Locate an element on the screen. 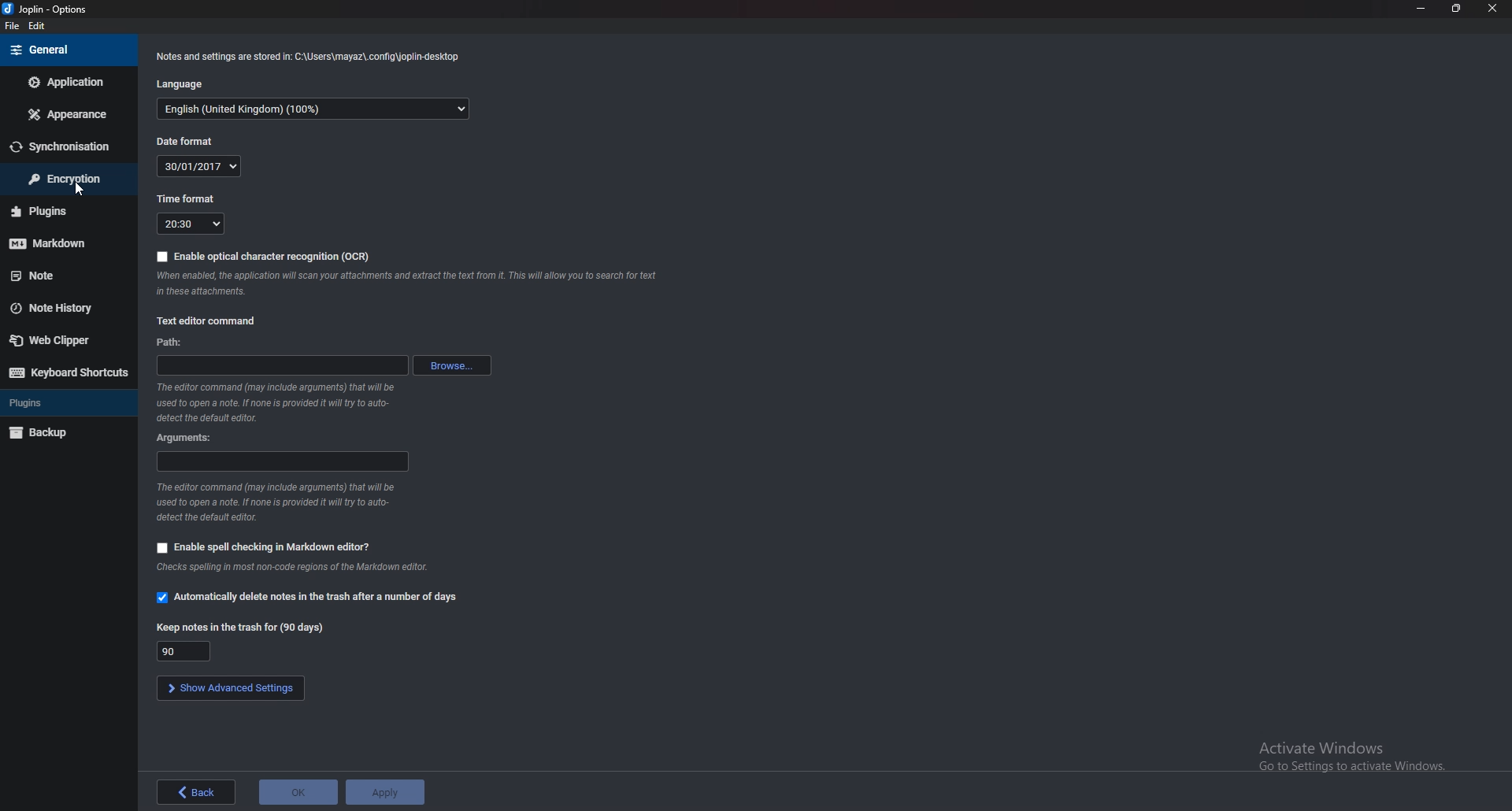 The image size is (1512, 811). info is located at coordinates (406, 283).